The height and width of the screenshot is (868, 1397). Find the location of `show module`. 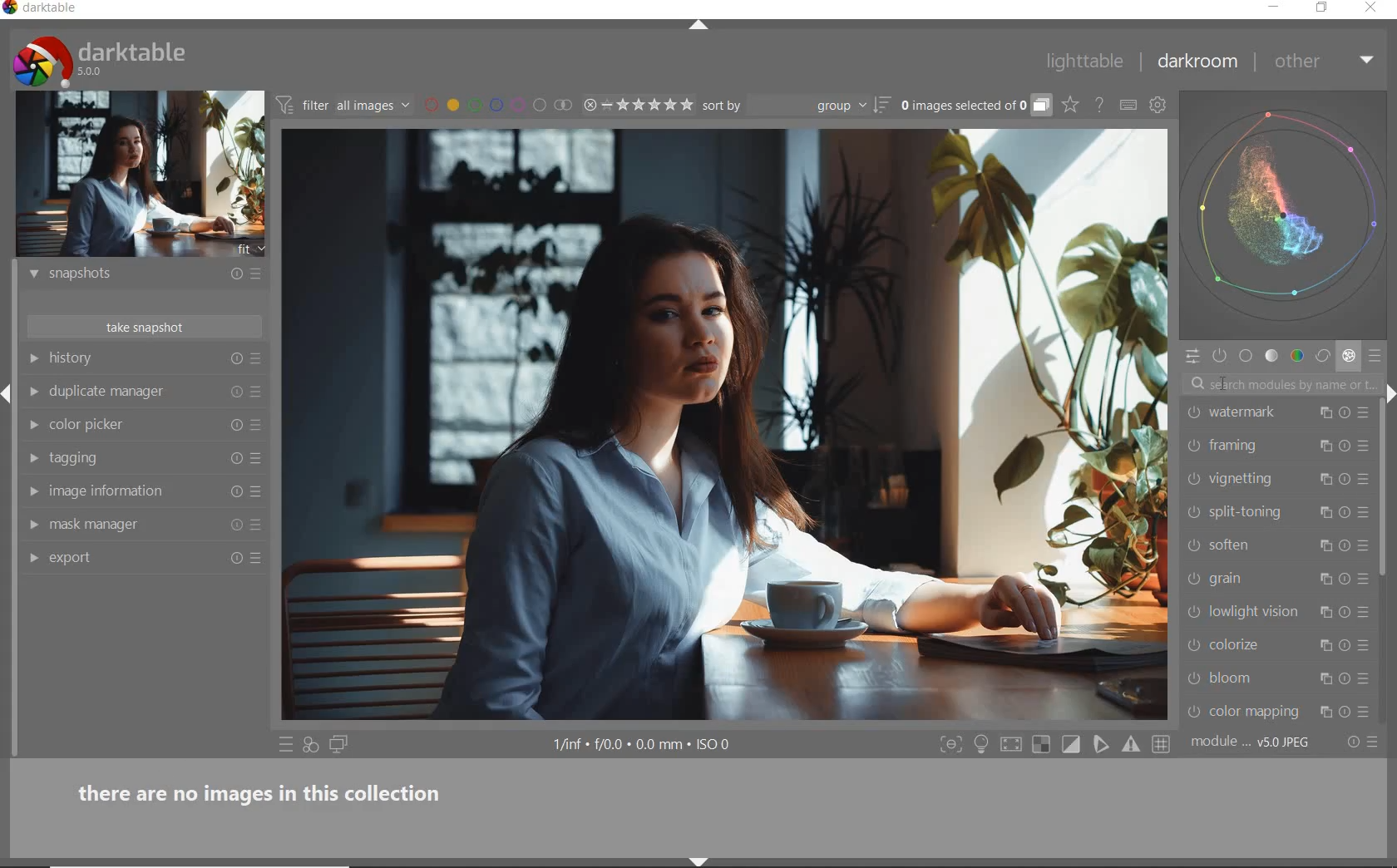

show module is located at coordinates (33, 560).